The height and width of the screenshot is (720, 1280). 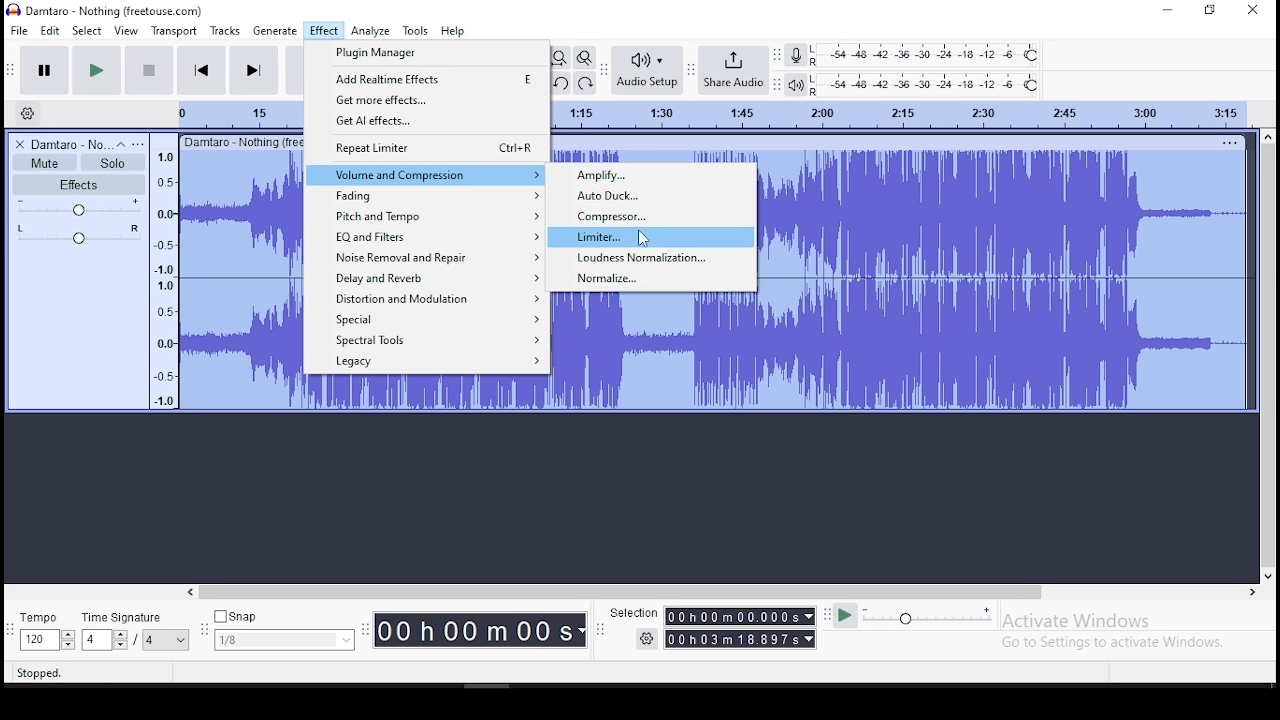 I want to click on stopped, so click(x=39, y=673).